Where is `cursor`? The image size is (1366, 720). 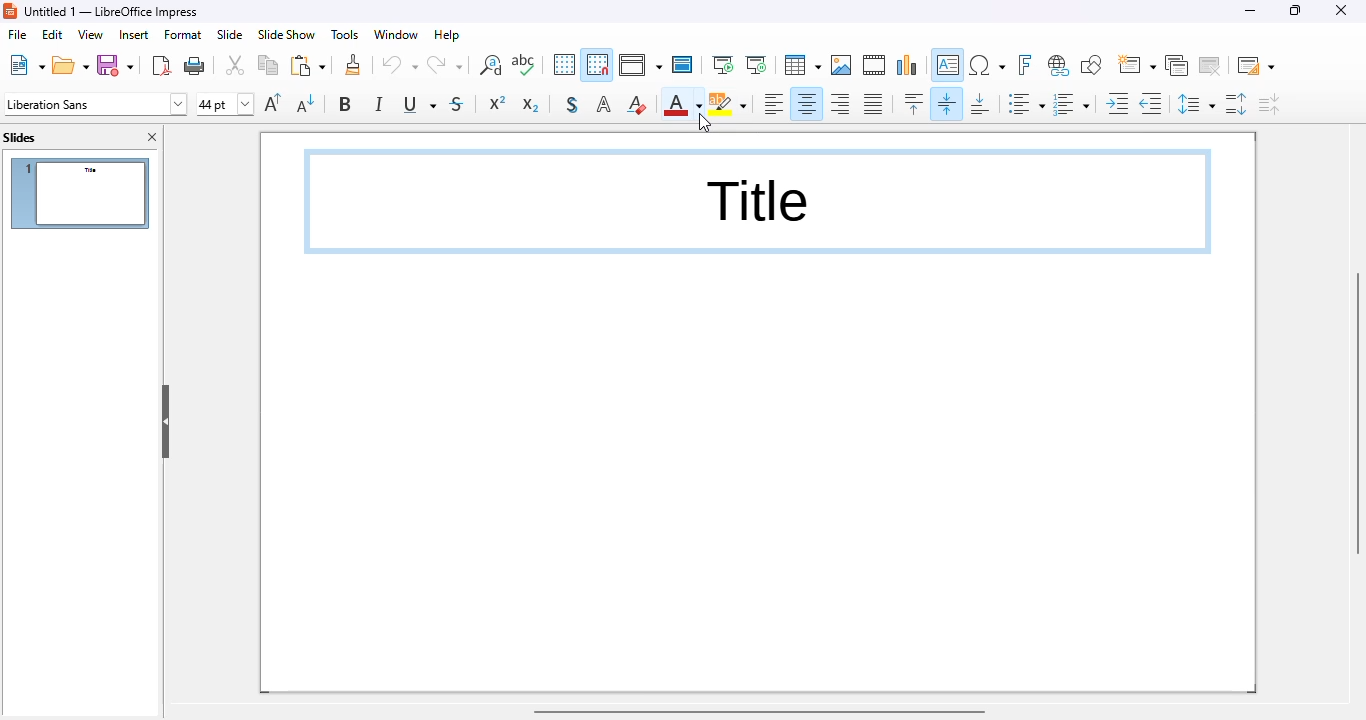
cursor is located at coordinates (702, 122).